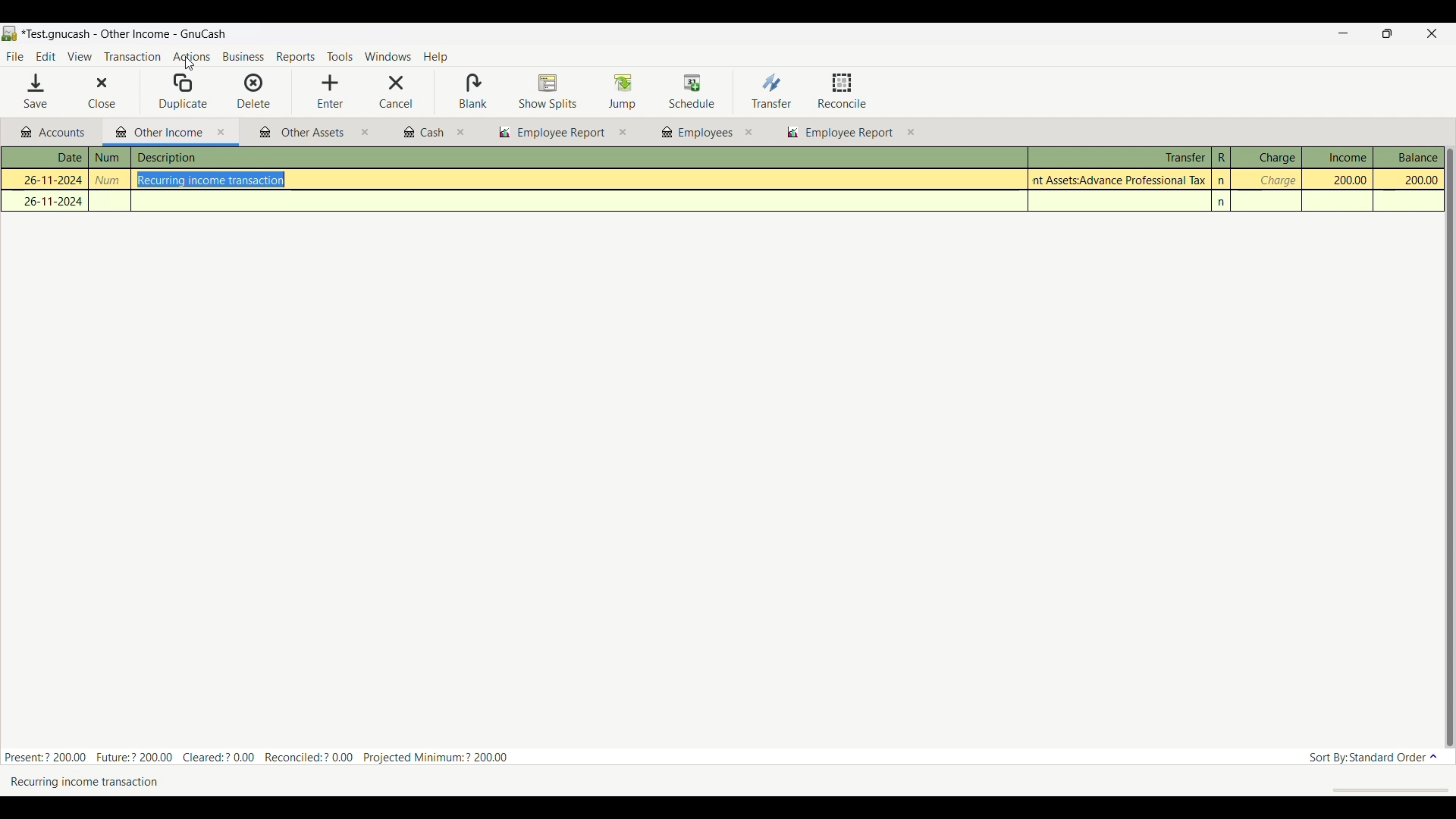 This screenshot has height=819, width=1456. I want to click on num, so click(111, 180).